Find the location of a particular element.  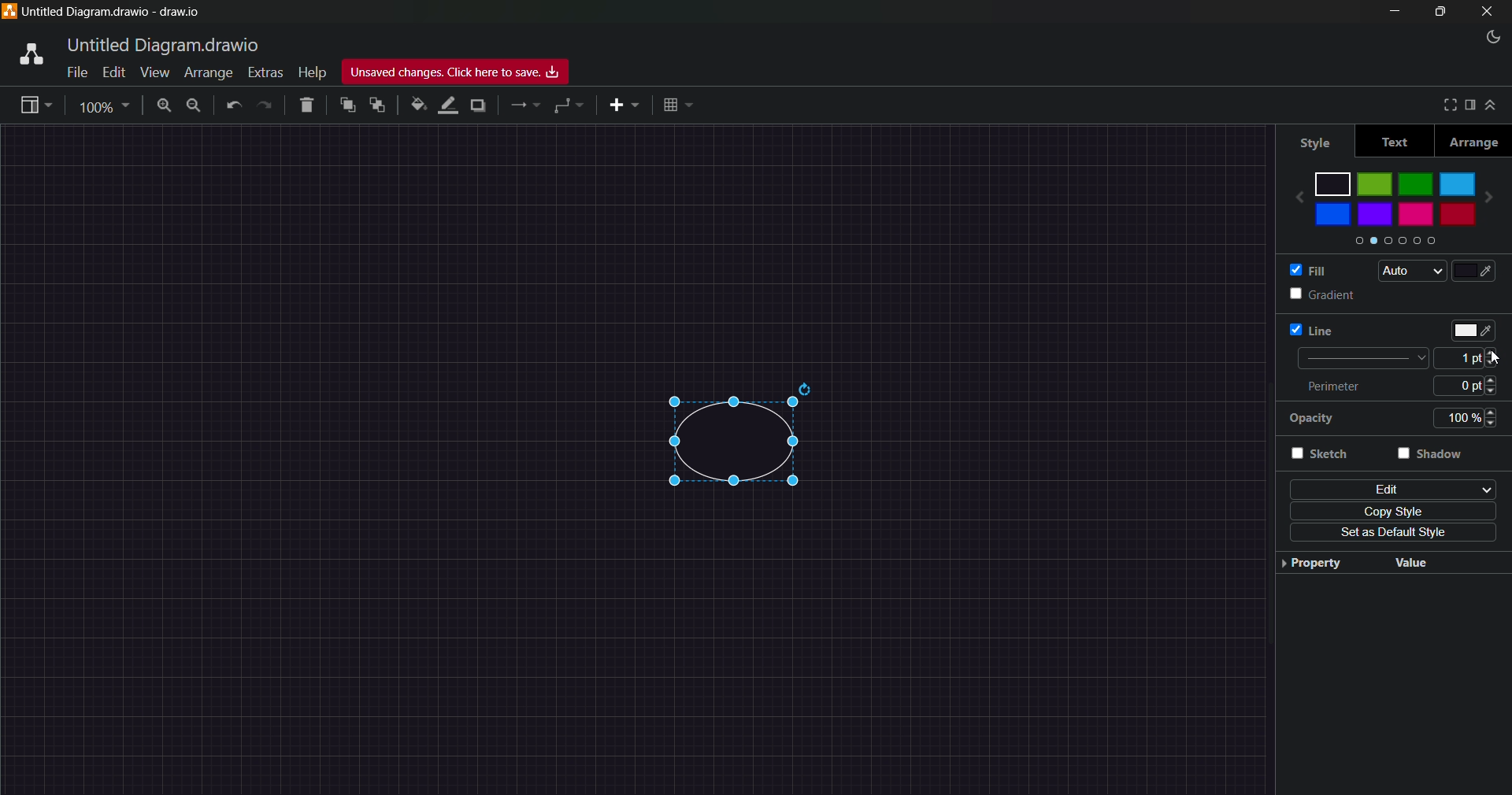

sketch is located at coordinates (1333, 454).